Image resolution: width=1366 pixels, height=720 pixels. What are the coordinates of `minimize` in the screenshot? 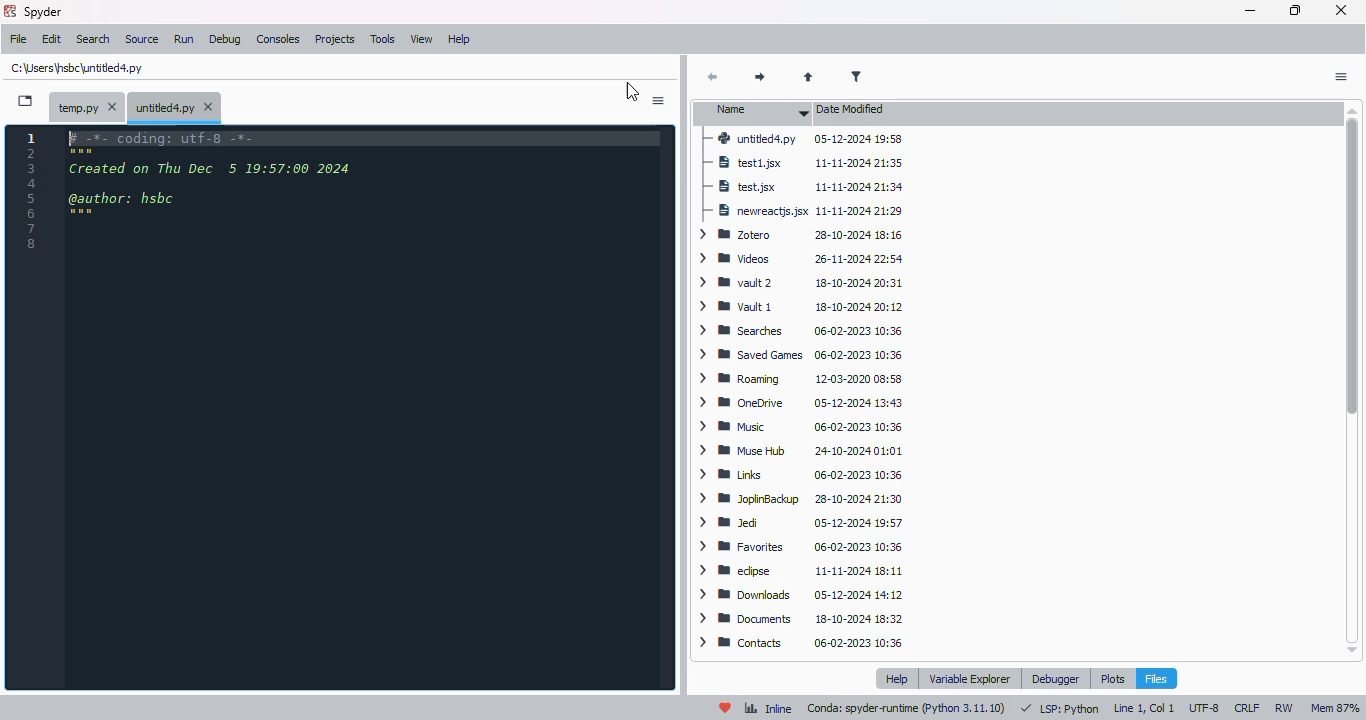 It's located at (1250, 11).